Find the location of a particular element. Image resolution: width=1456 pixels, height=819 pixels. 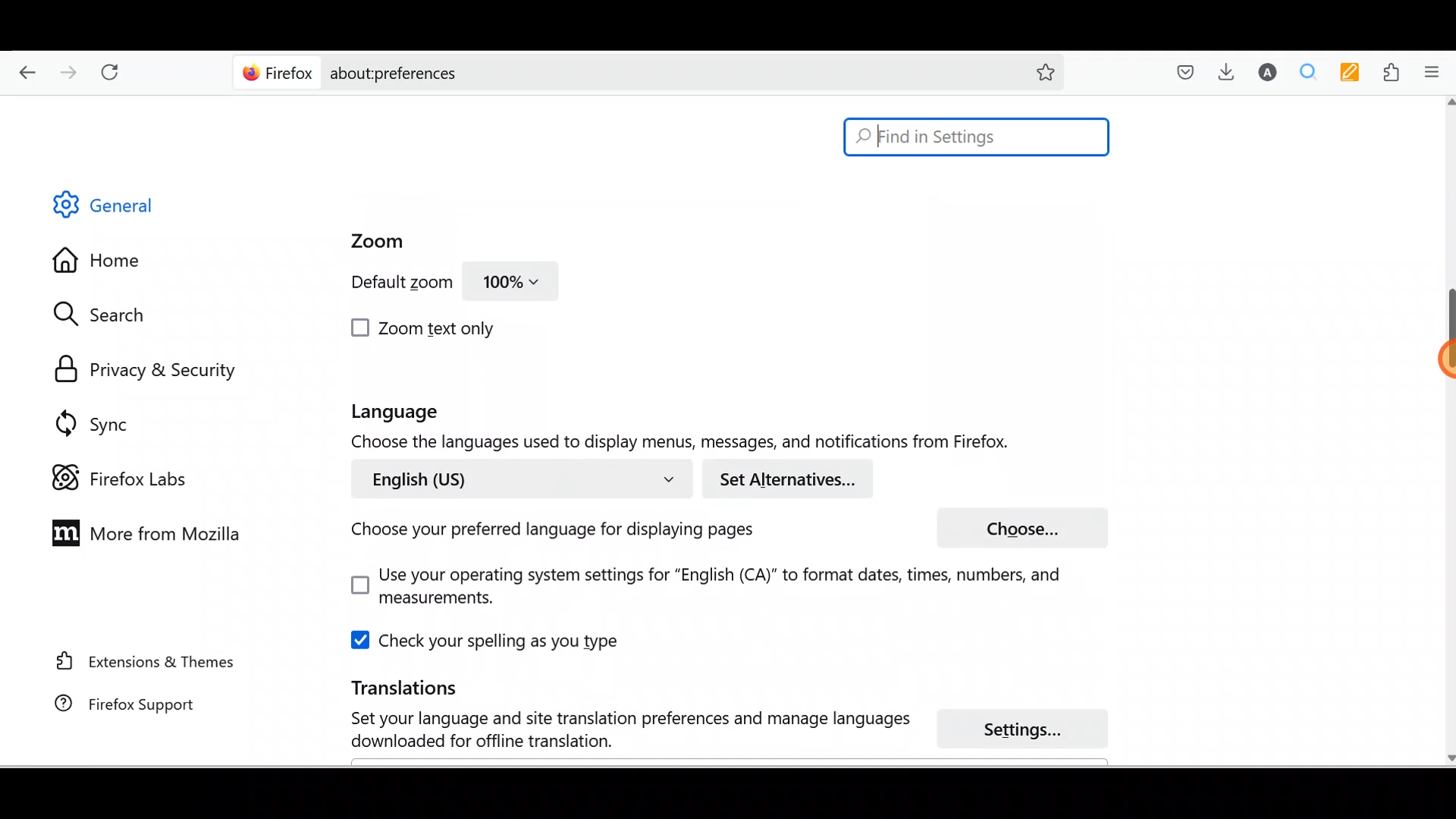

Open application menu is located at coordinates (1437, 71).